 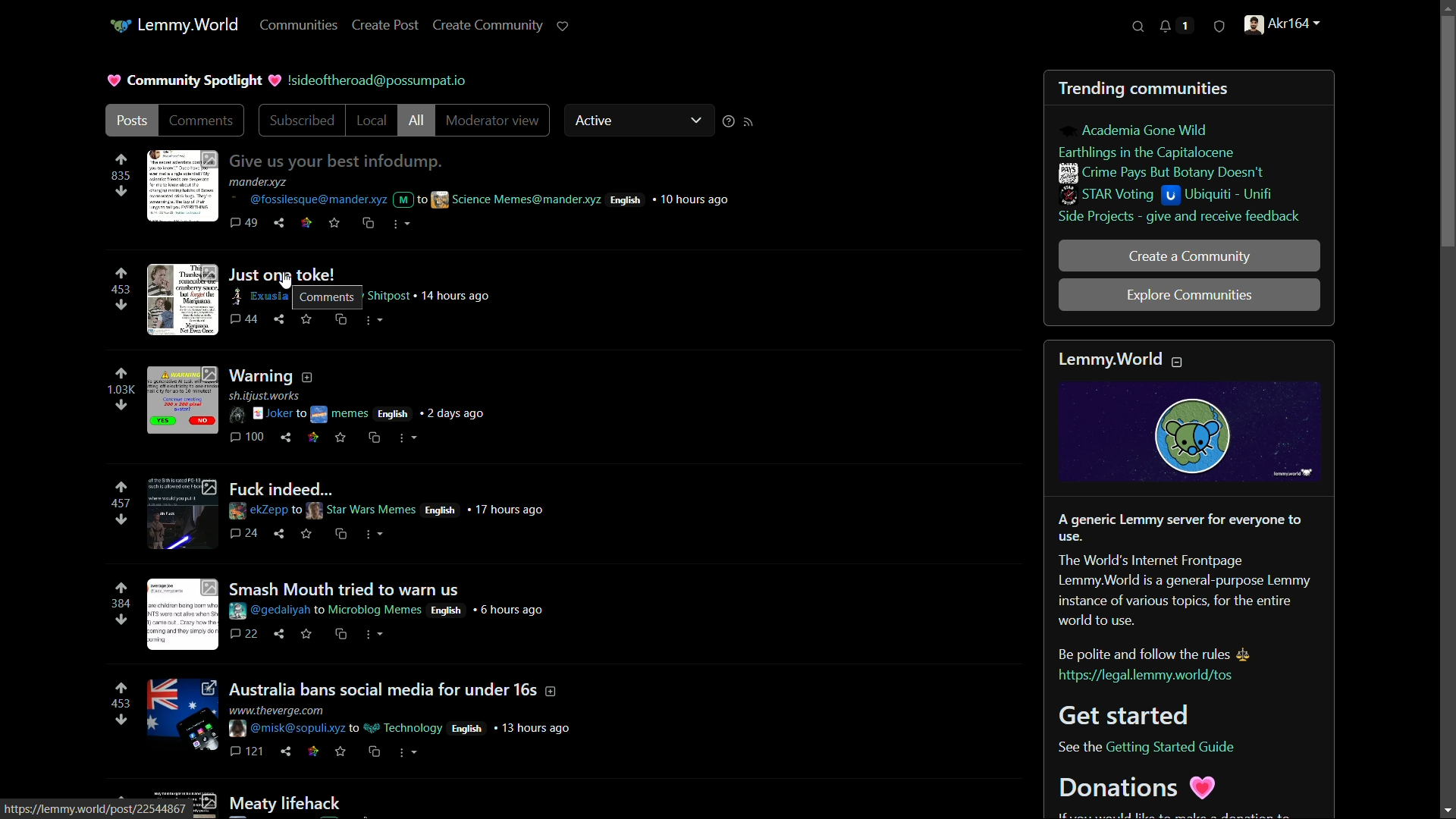 What do you see at coordinates (297, 25) in the screenshot?
I see `communities` at bounding box center [297, 25].